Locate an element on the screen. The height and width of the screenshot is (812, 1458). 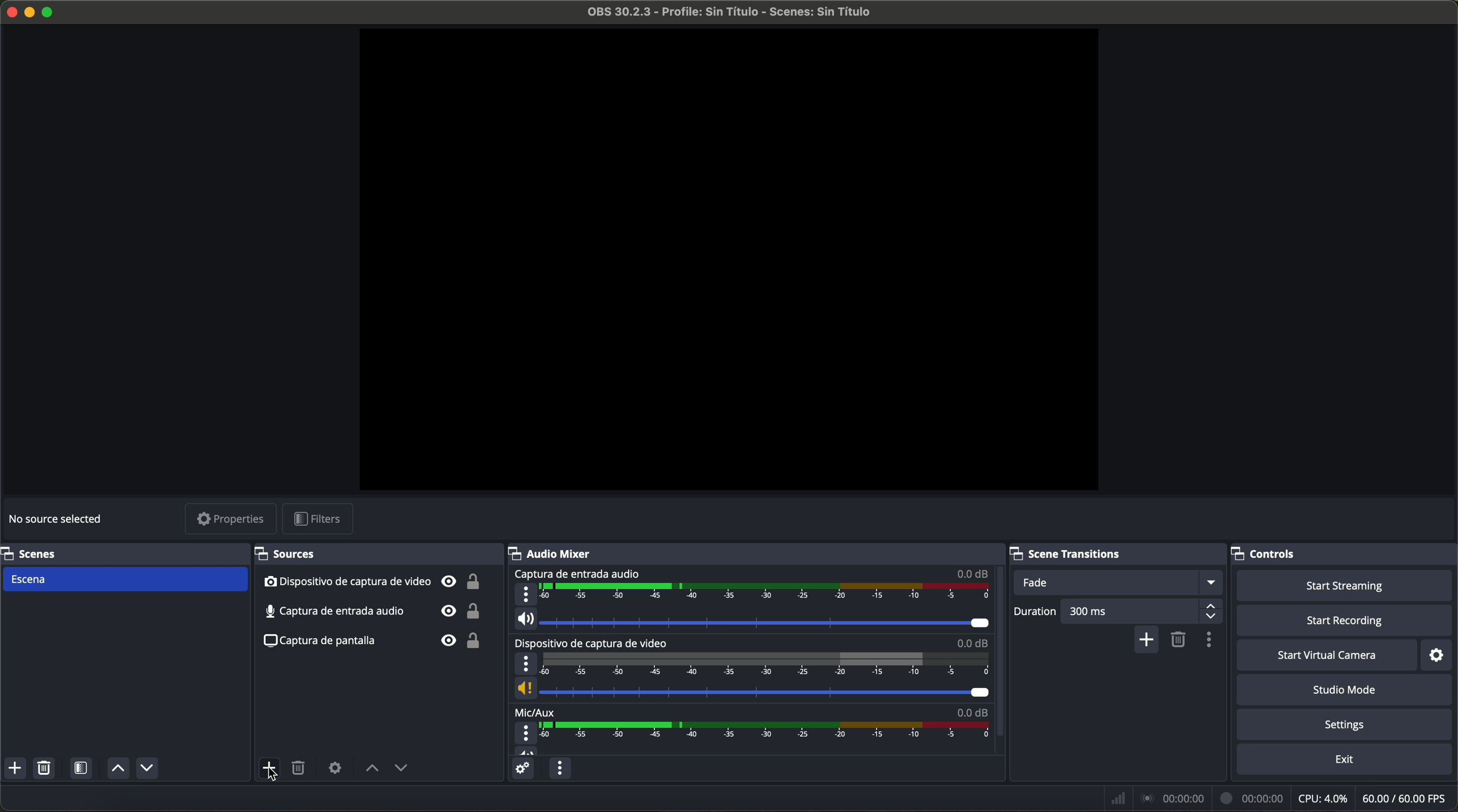
close program is located at coordinates (10, 11).